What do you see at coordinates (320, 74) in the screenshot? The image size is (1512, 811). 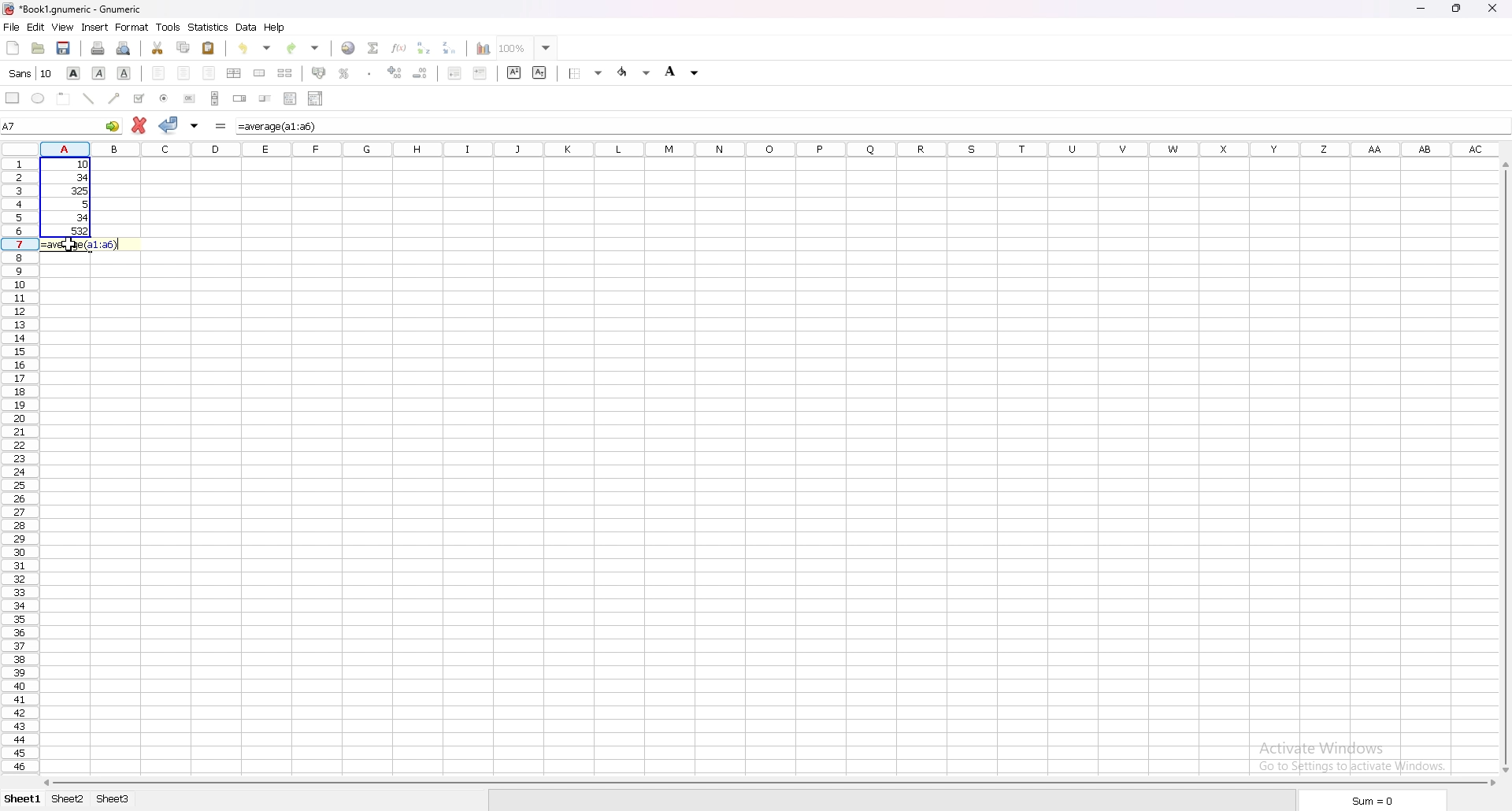 I see `accounting` at bounding box center [320, 74].